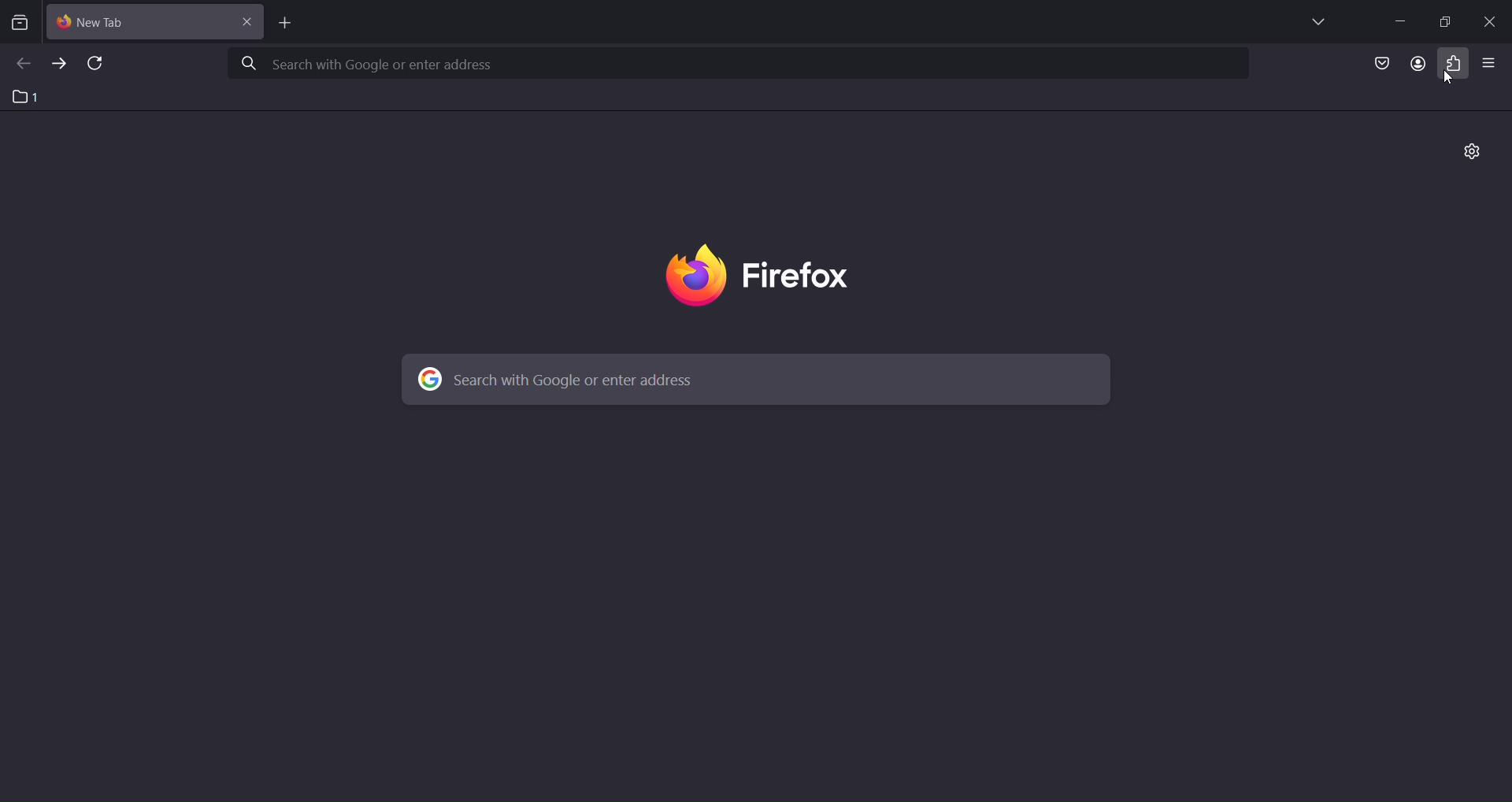 The width and height of the screenshot is (1512, 802). Describe the element at coordinates (760, 381) in the screenshot. I see `search with google or enter address` at that location.